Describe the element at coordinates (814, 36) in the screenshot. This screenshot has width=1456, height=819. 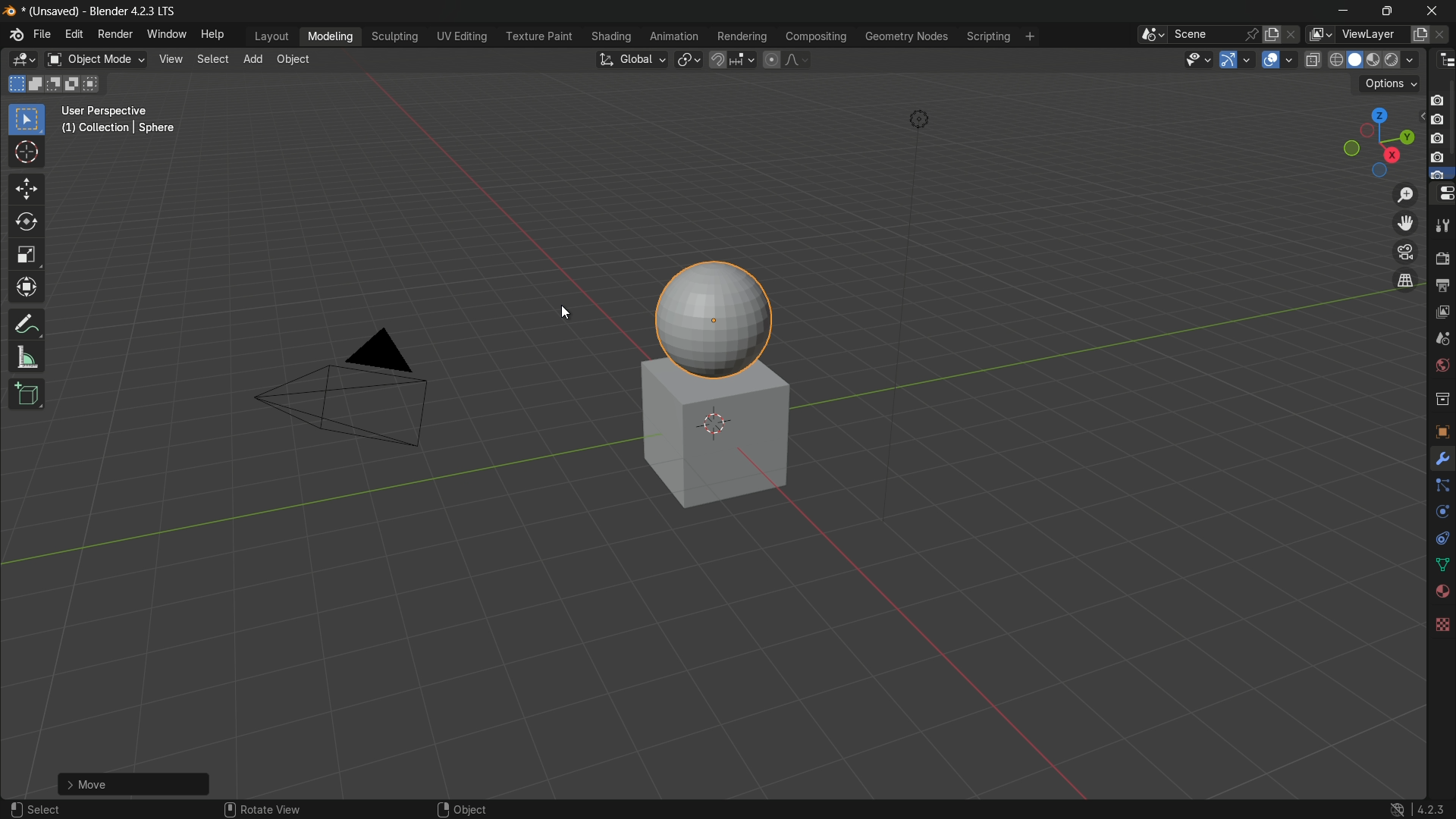
I see `compositing menu` at that location.